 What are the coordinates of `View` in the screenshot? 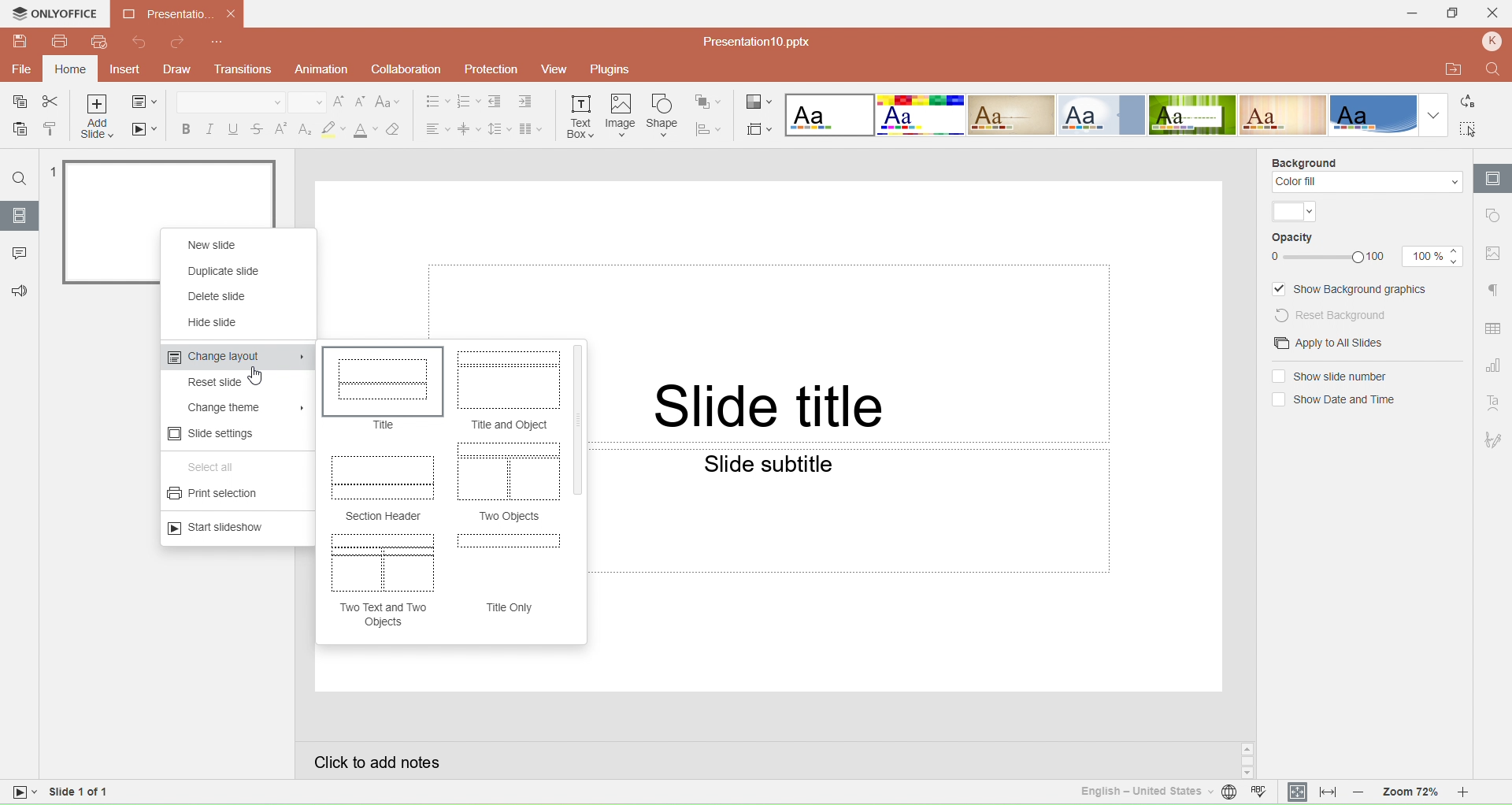 It's located at (552, 71).